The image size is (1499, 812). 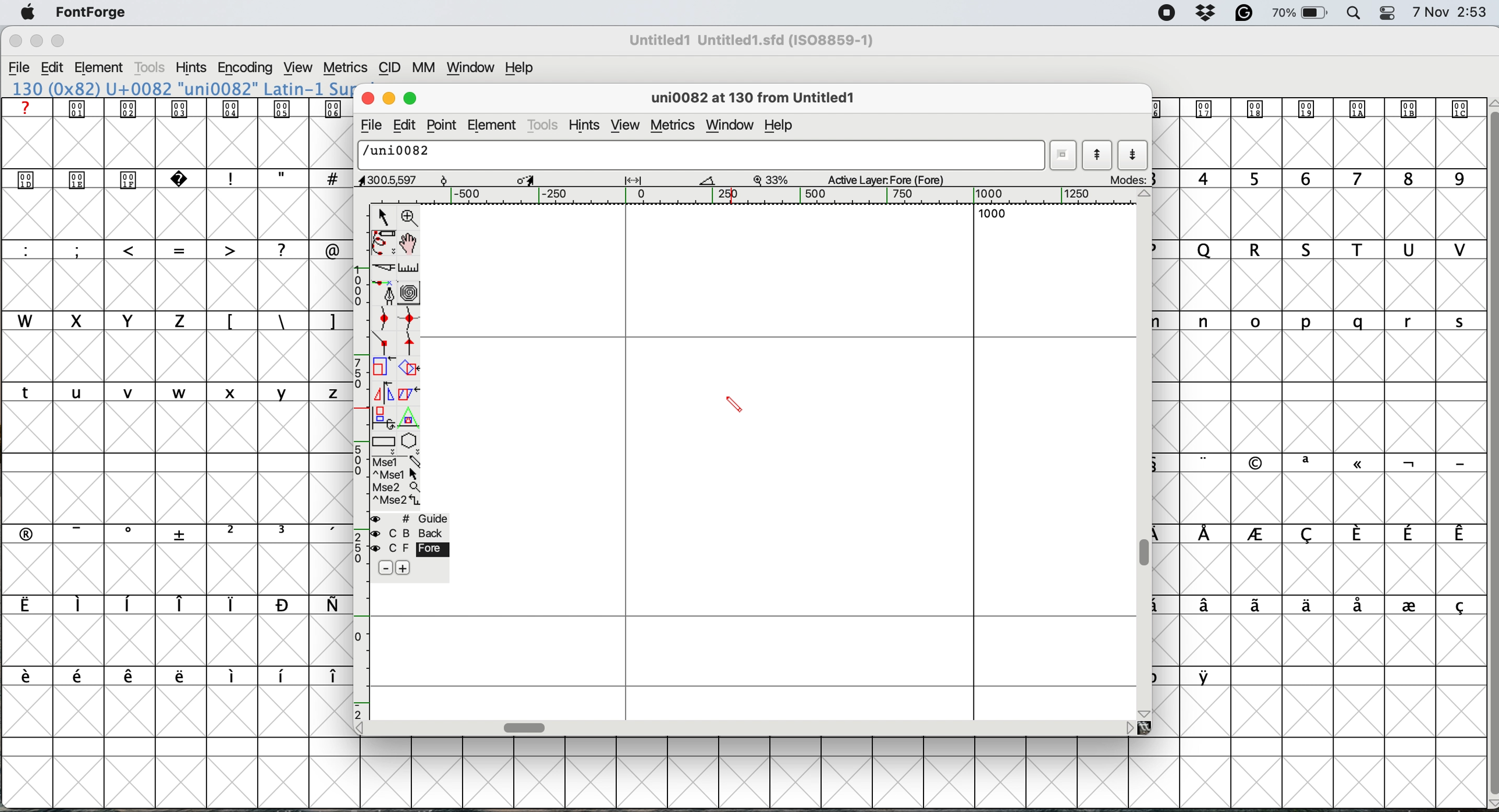 What do you see at coordinates (244, 69) in the screenshot?
I see `encoding` at bounding box center [244, 69].